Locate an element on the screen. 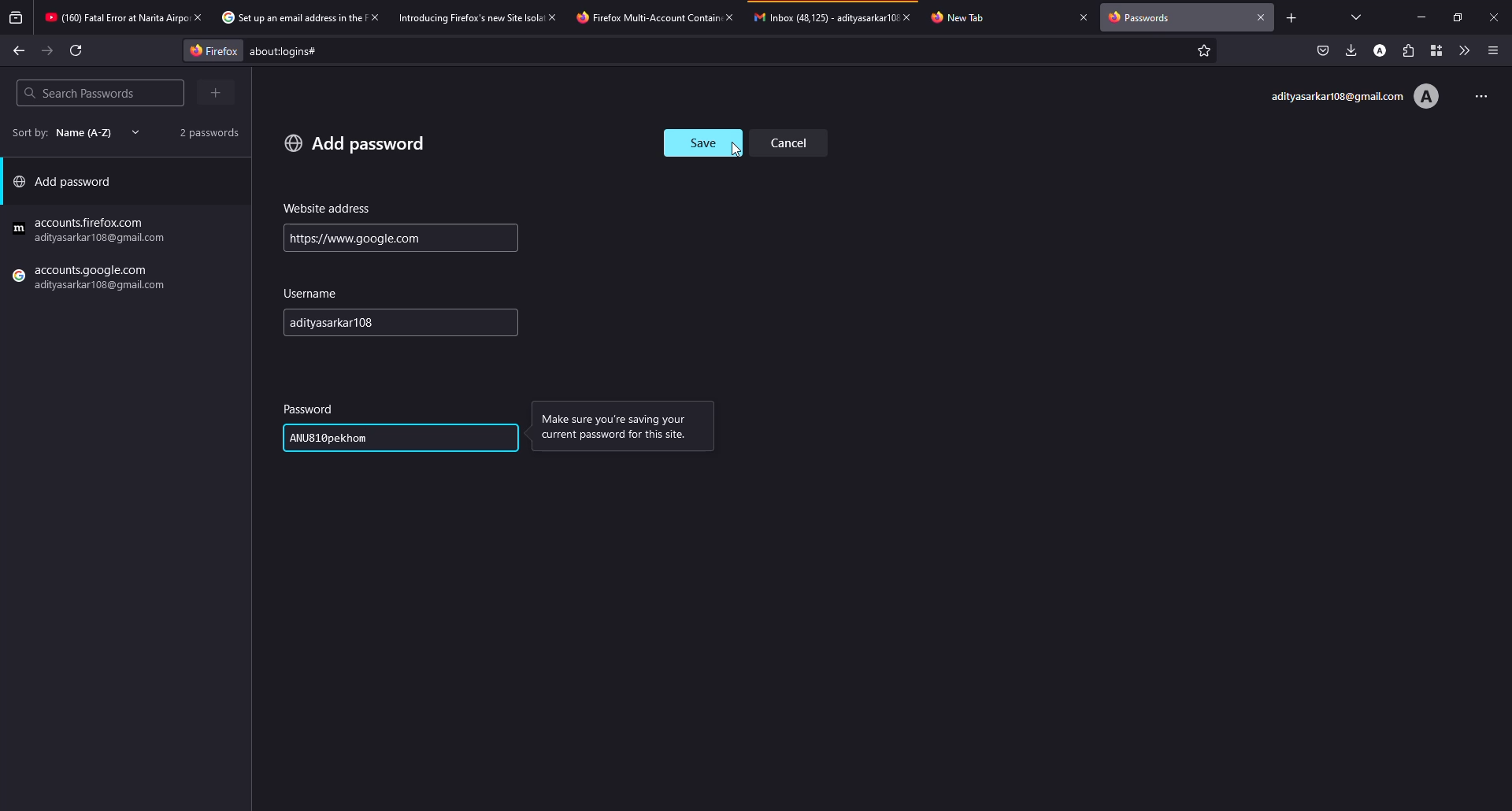 The image size is (1512, 811). account is located at coordinates (1354, 97).